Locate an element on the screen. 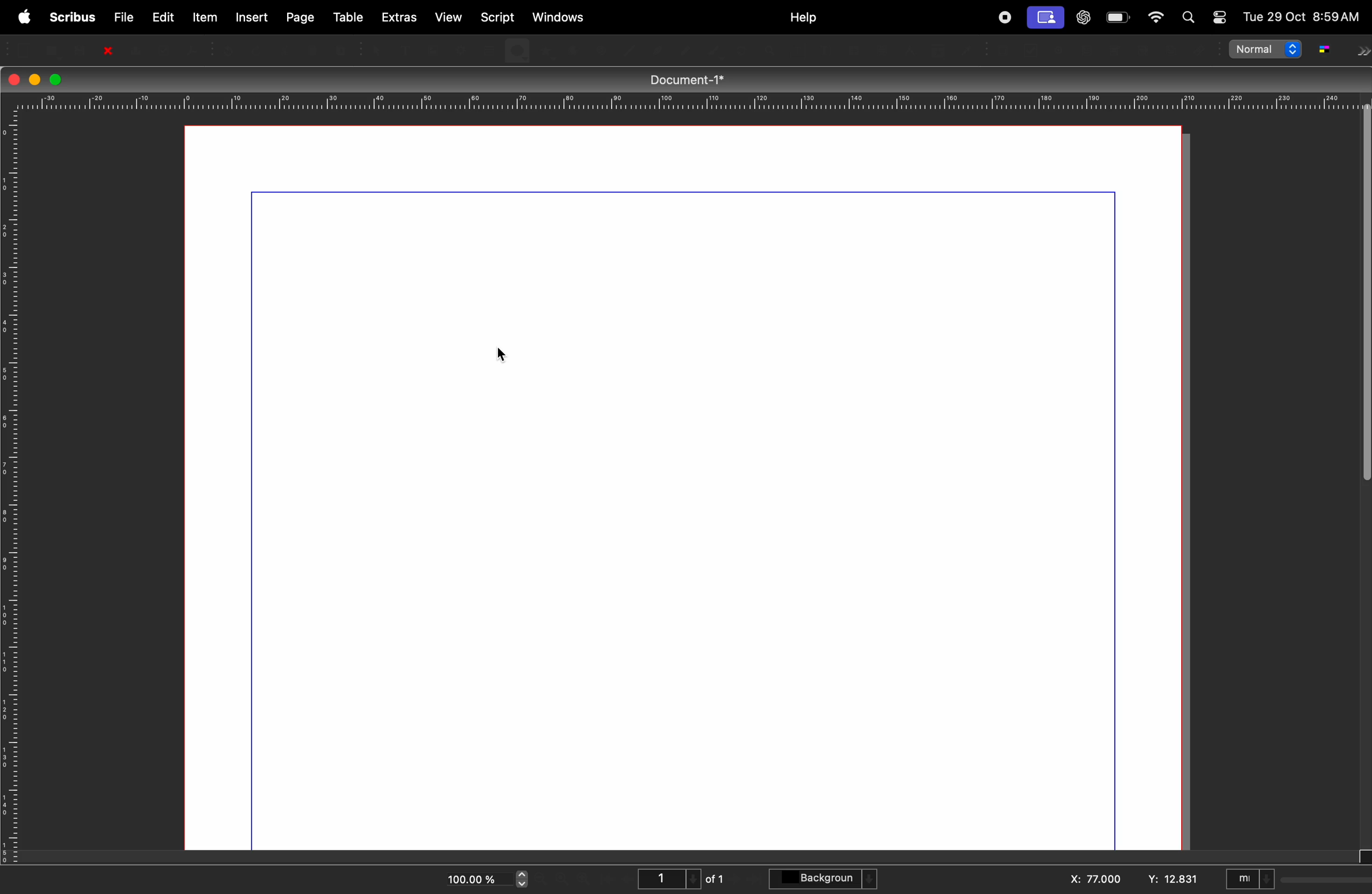  Redo is located at coordinates (258, 48).